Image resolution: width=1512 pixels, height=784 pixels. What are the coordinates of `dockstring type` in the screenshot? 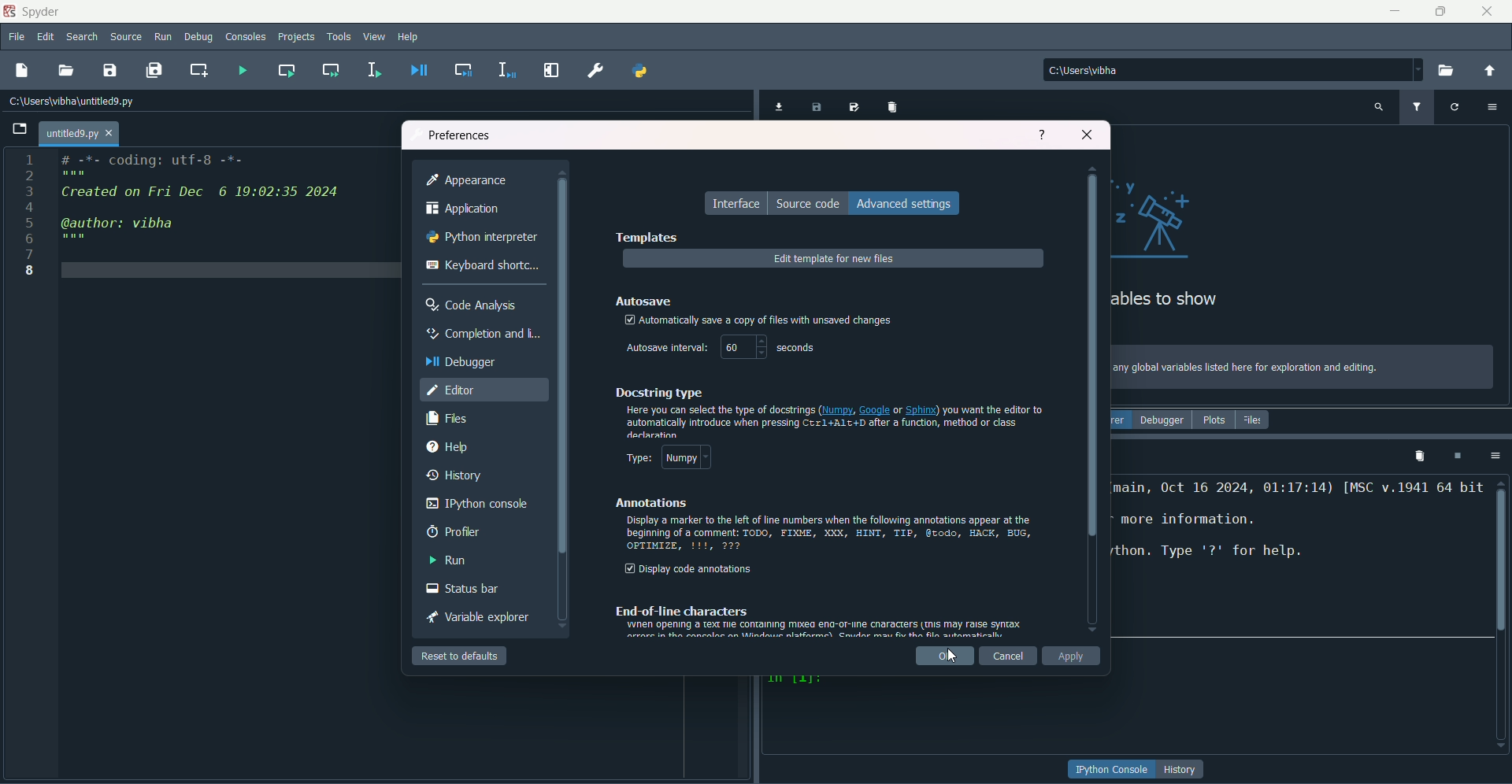 It's located at (658, 392).